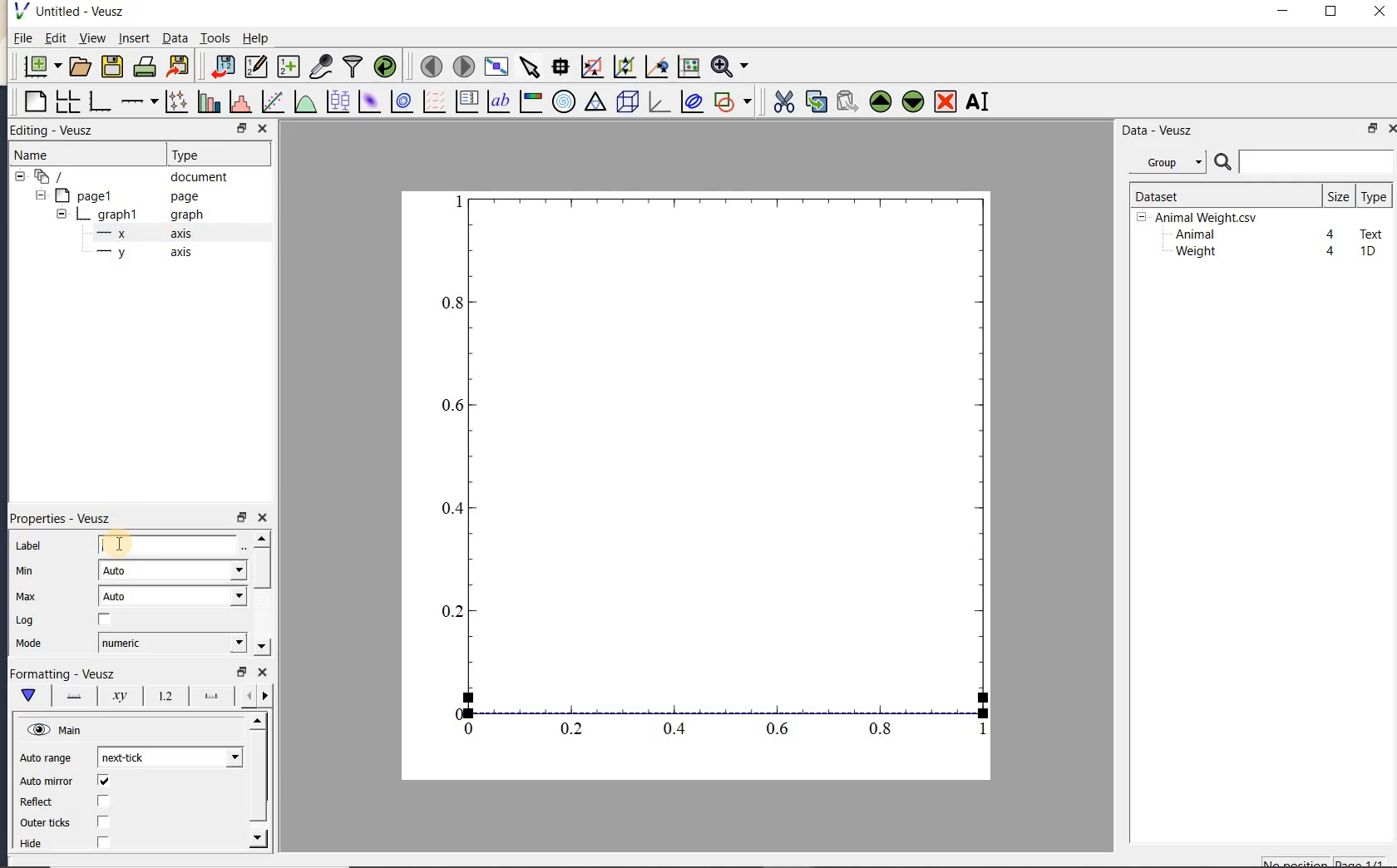  Describe the element at coordinates (531, 101) in the screenshot. I see `image color bar` at that location.